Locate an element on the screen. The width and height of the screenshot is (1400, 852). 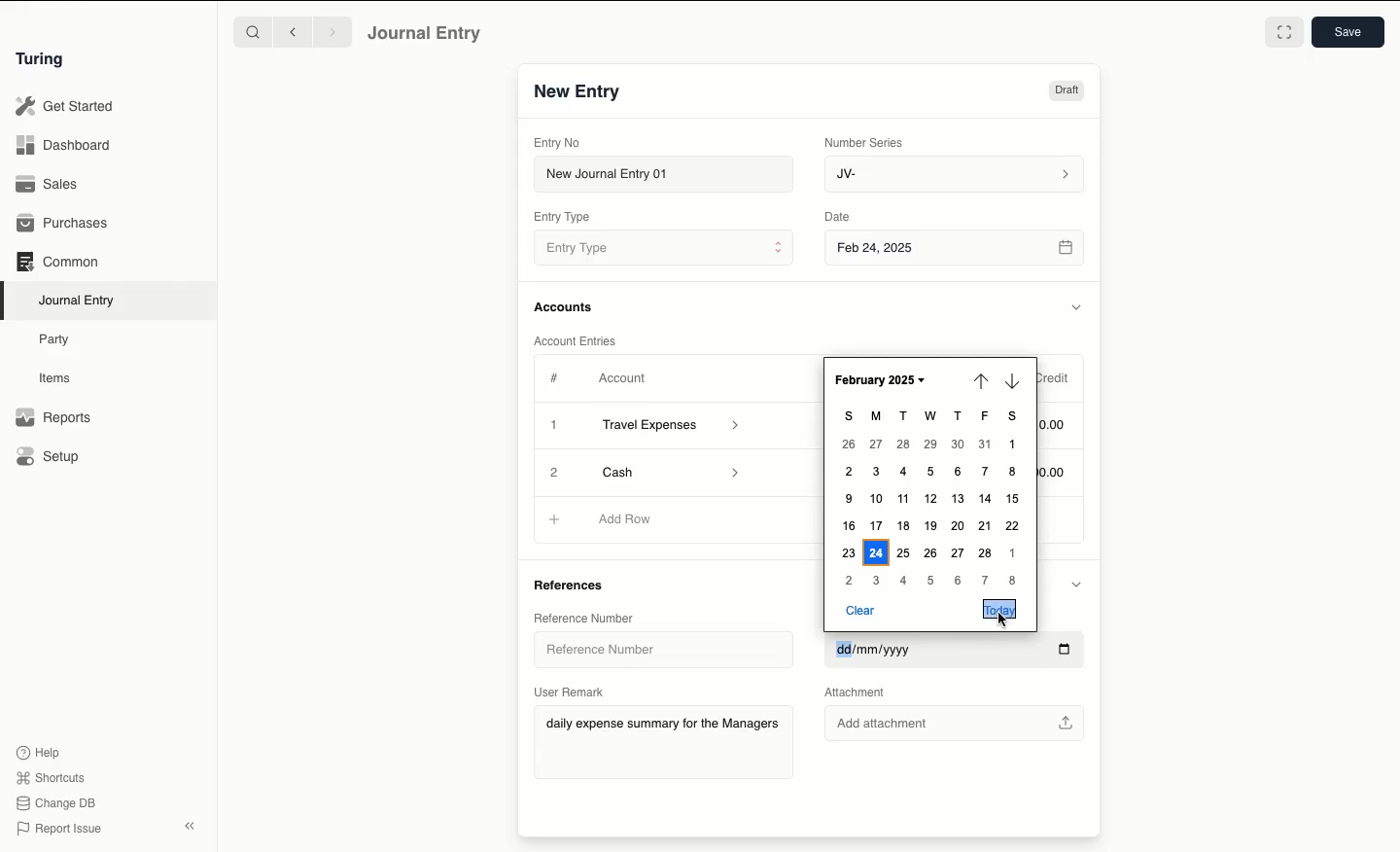
Date is located at coordinates (840, 216).